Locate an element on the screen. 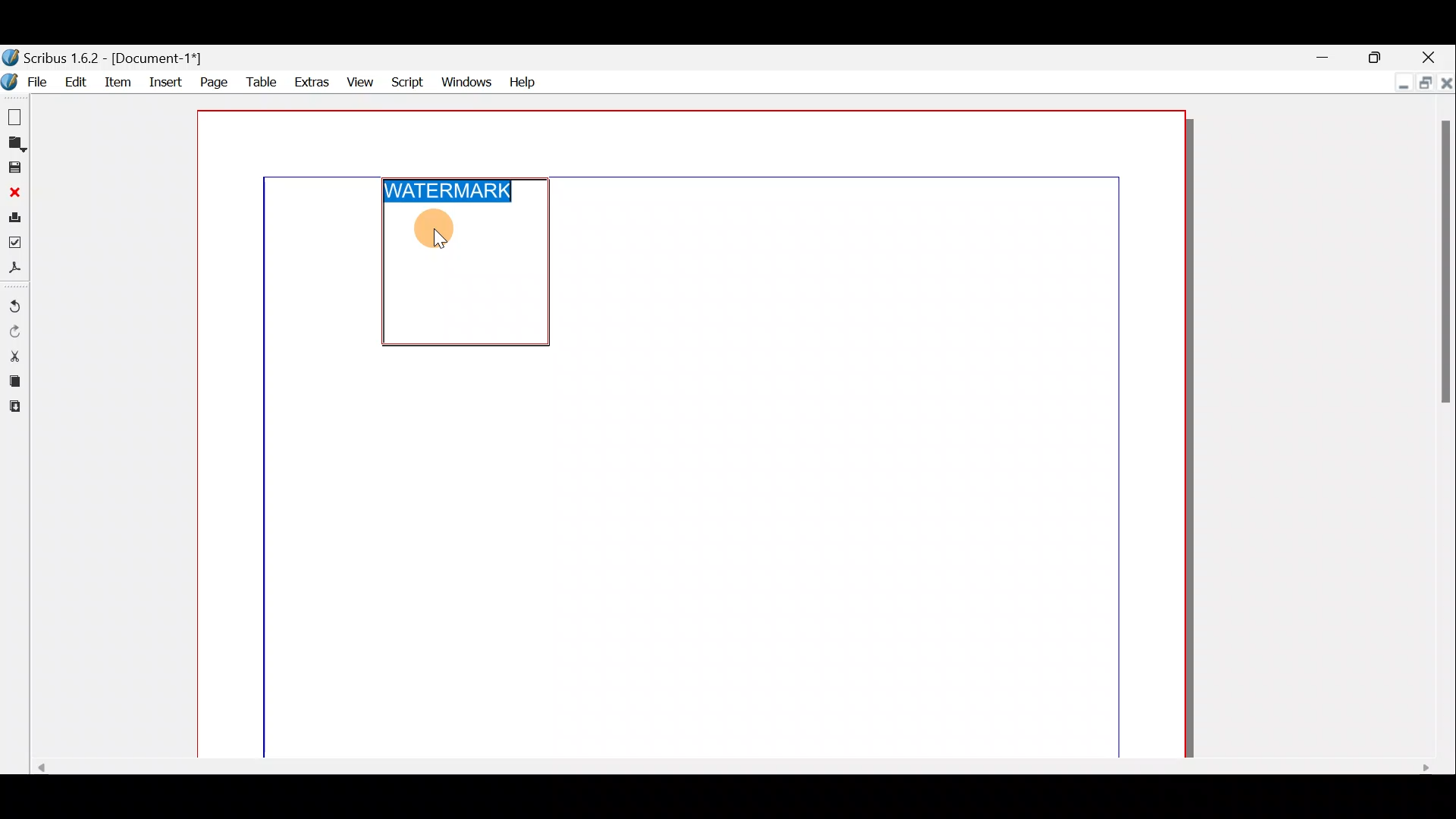 The image size is (1456, 819). Undo is located at coordinates (14, 307).